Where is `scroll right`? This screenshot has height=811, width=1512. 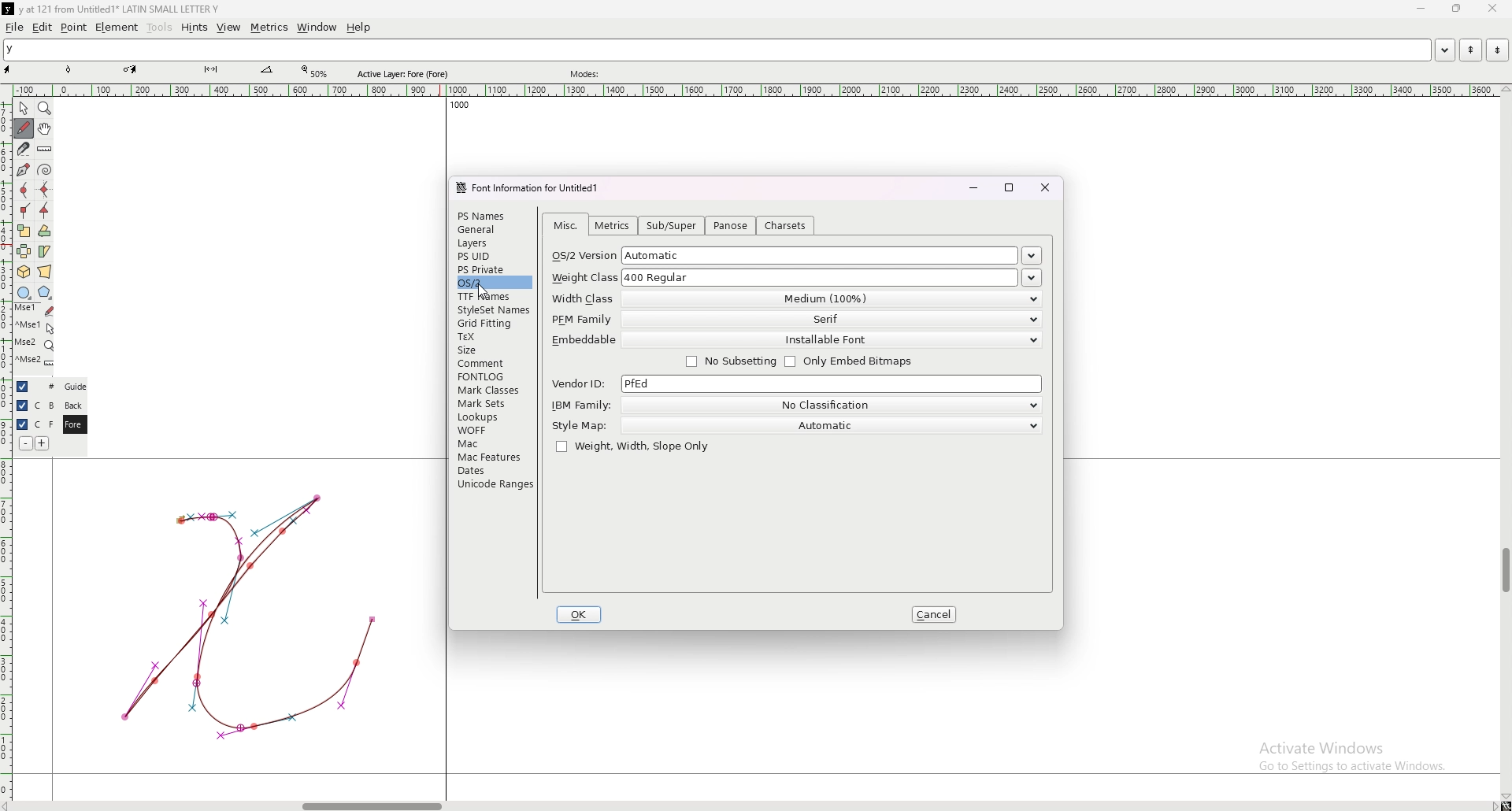 scroll right is located at coordinates (1493, 805).